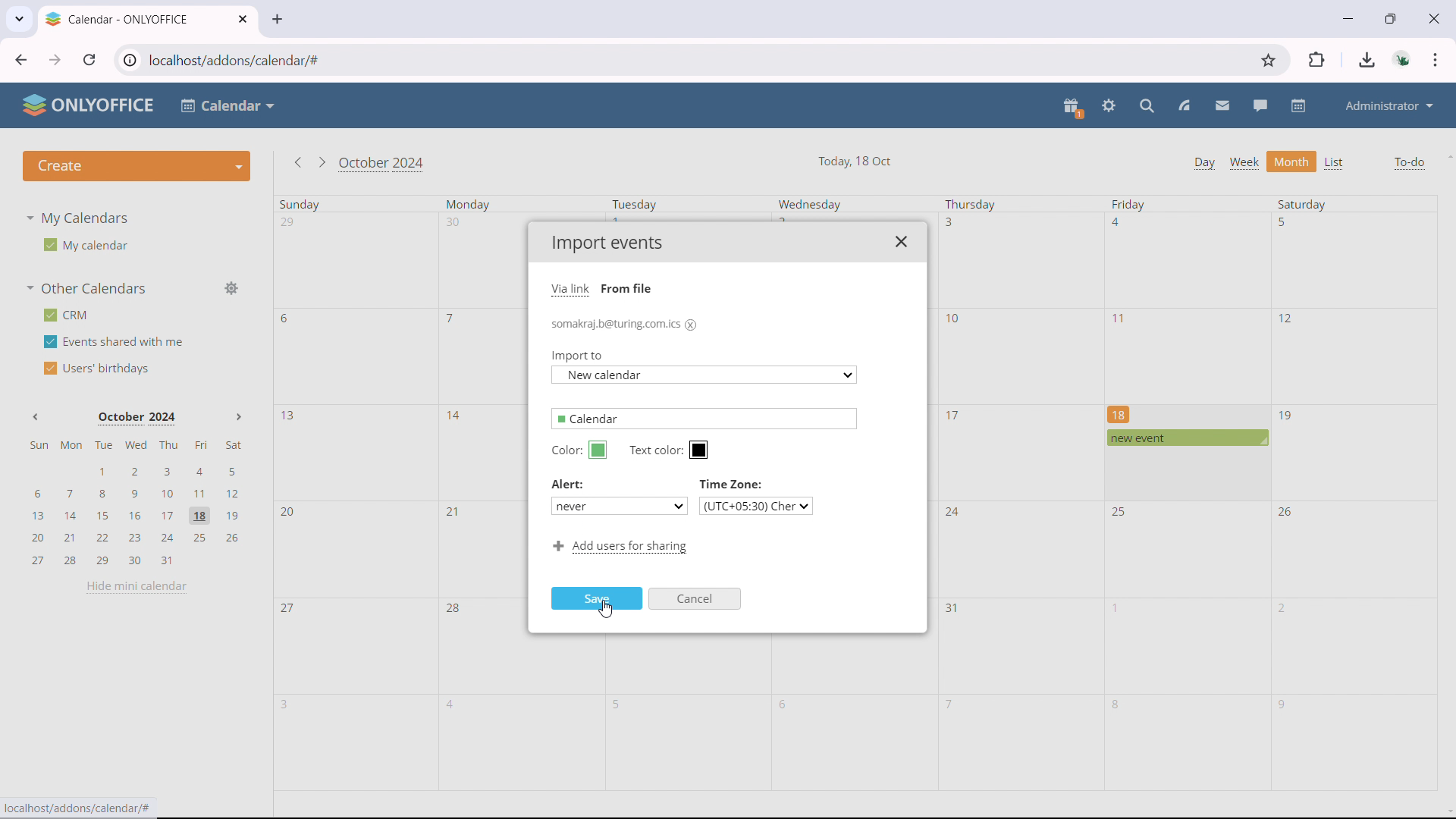  I want to click on list, so click(1335, 163).